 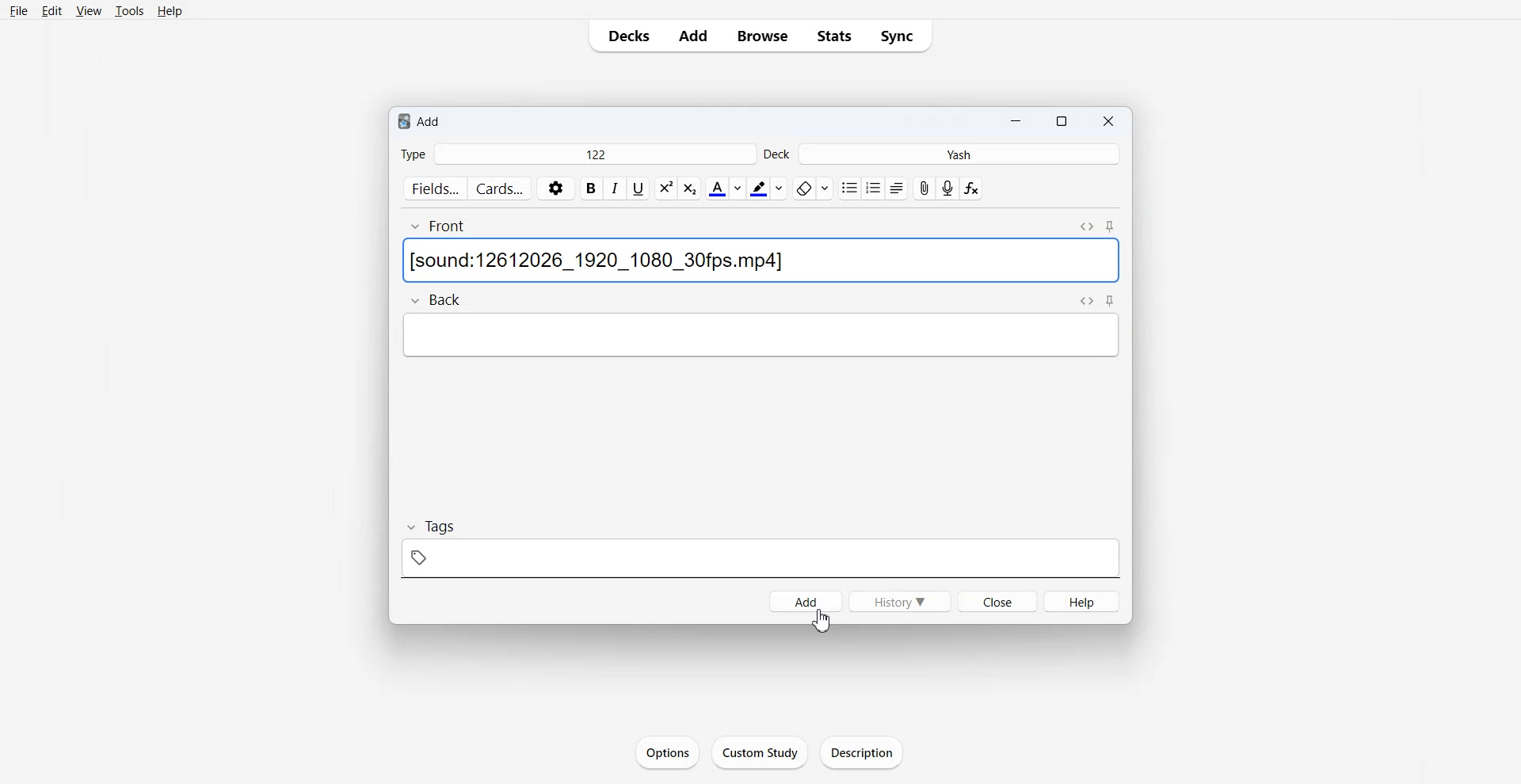 What do you see at coordinates (970, 189) in the screenshot?
I see `Equations` at bounding box center [970, 189].